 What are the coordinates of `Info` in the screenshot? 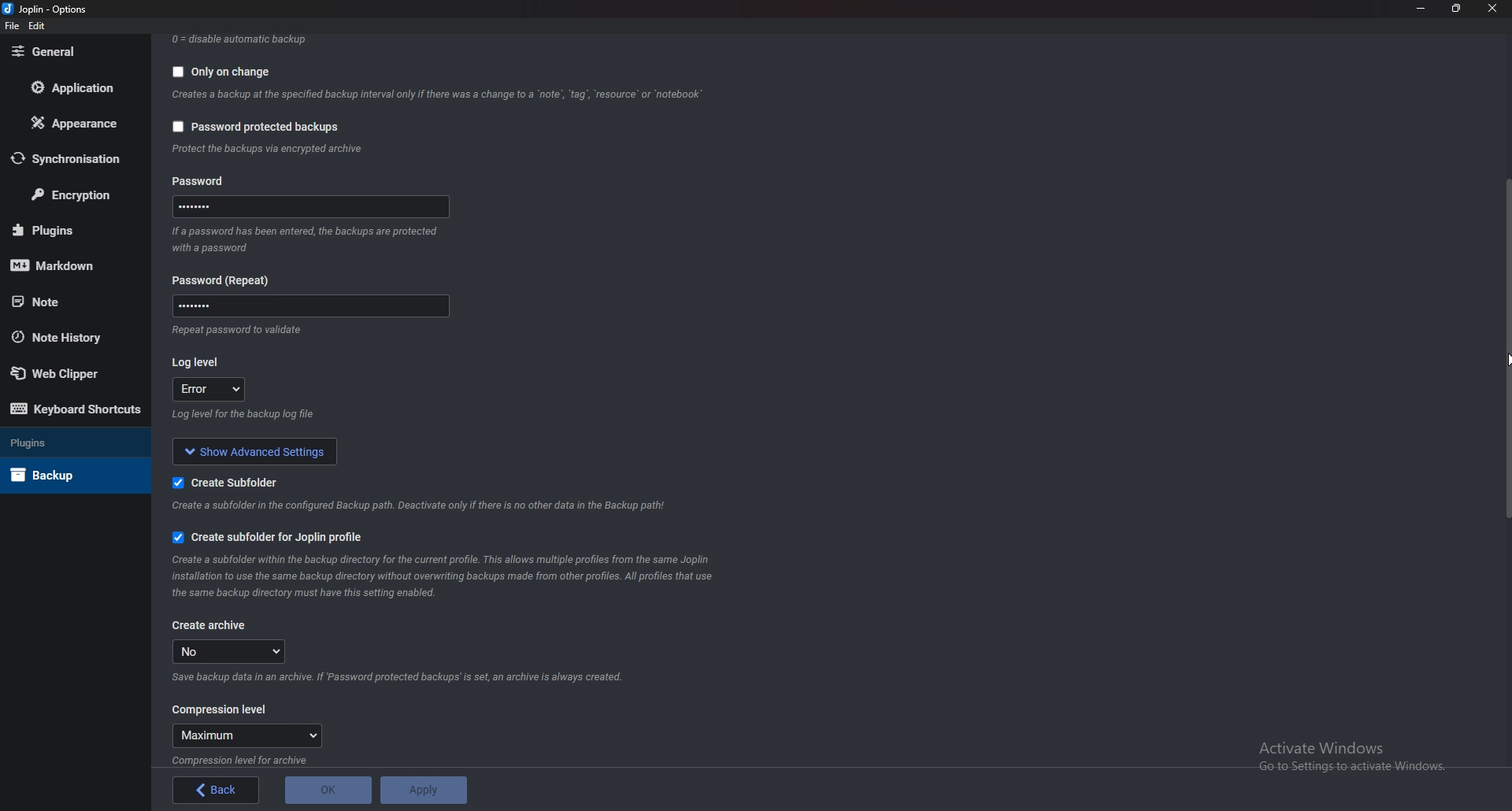 It's located at (239, 332).